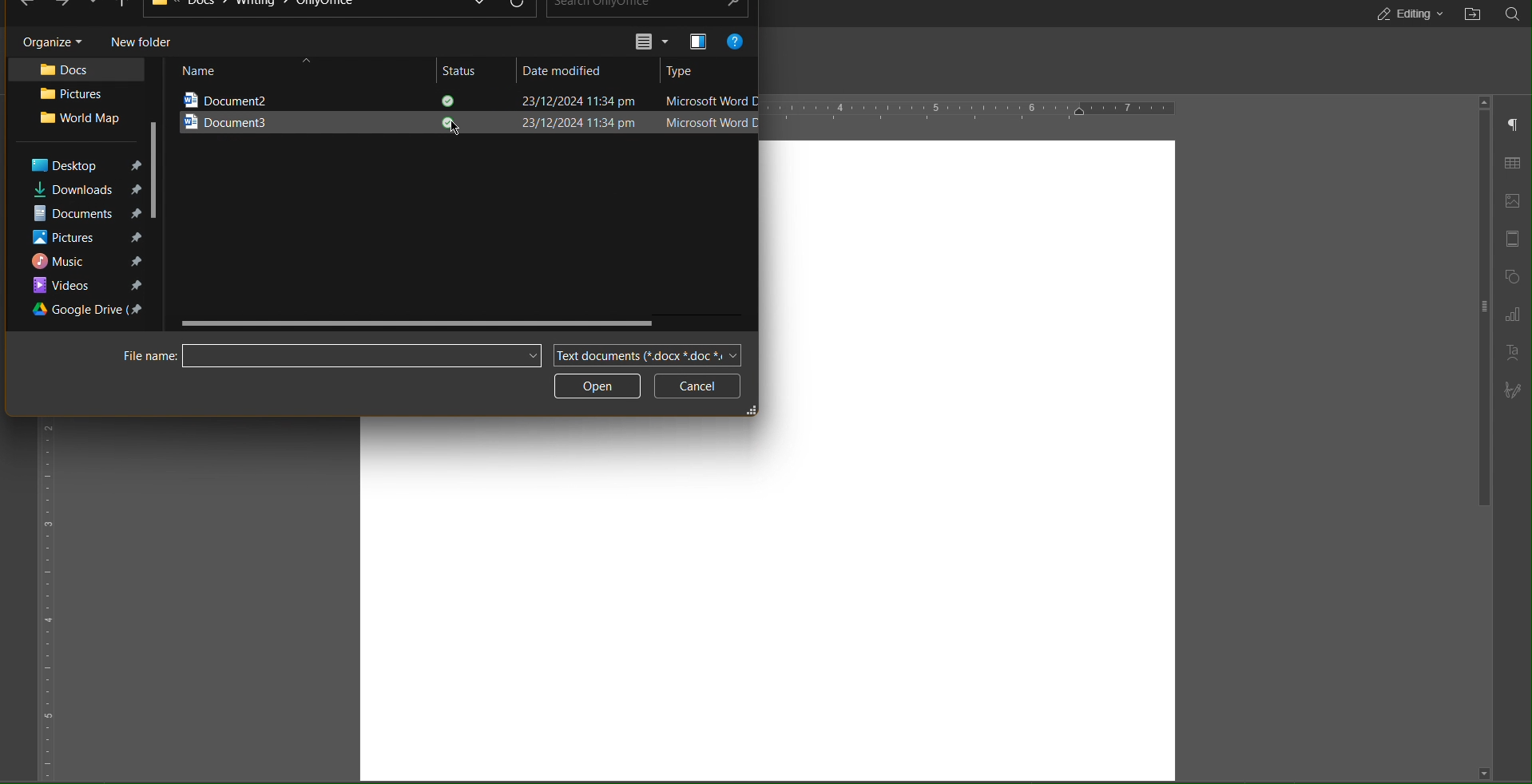 The width and height of the screenshot is (1532, 784). Describe the element at coordinates (157, 169) in the screenshot. I see `Scroll bar` at that location.